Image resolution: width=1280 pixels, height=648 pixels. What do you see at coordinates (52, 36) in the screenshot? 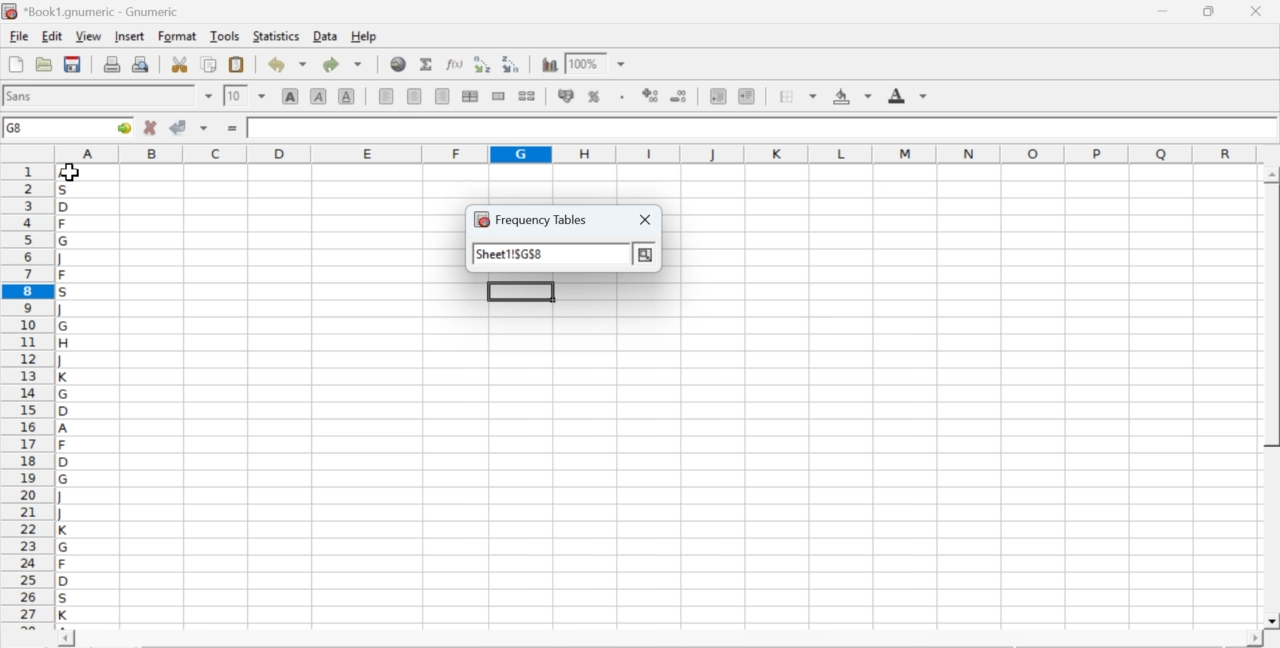
I see `edit` at bounding box center [52, 36].